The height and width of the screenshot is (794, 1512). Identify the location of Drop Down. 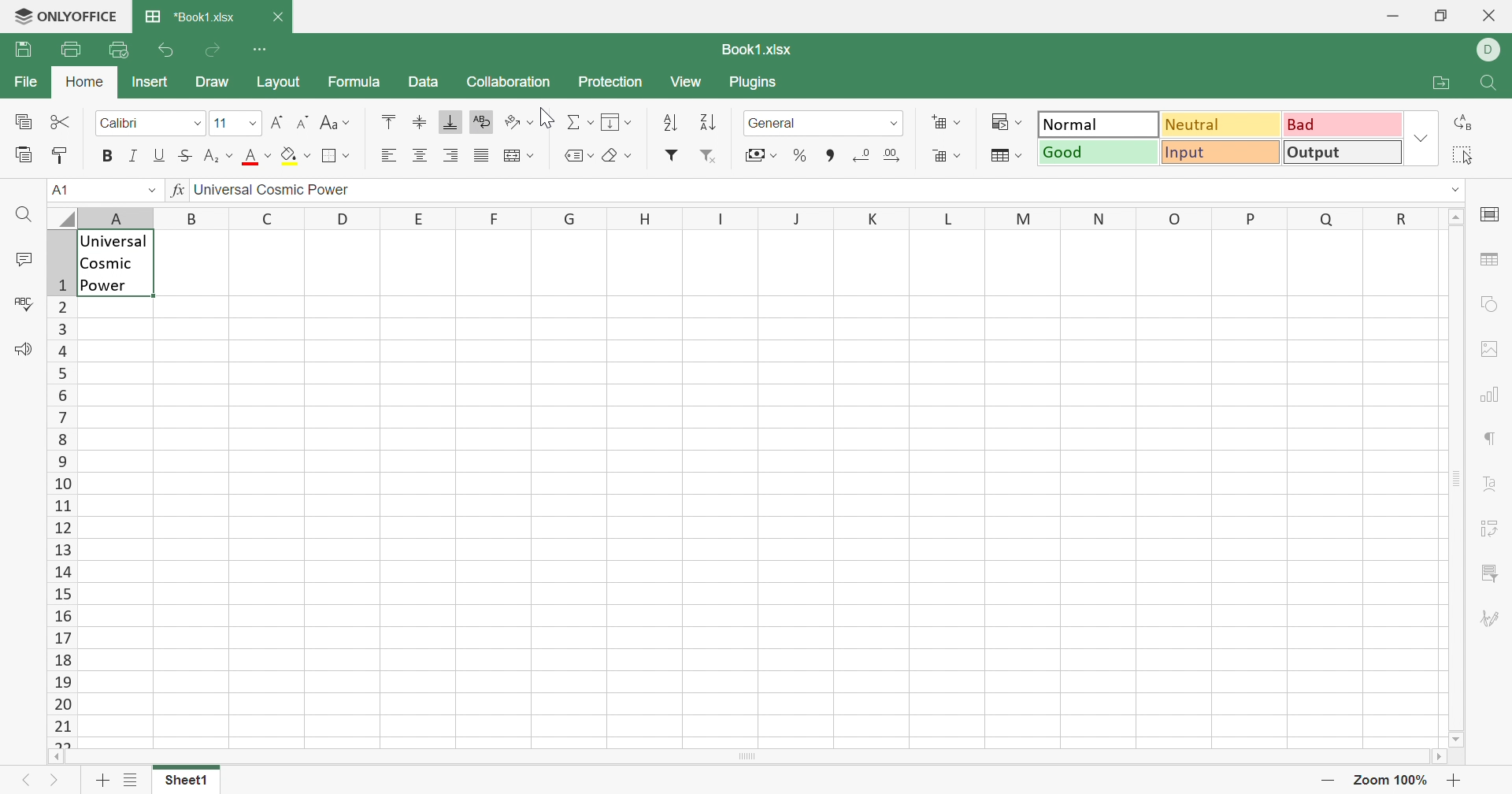
(252, 124).